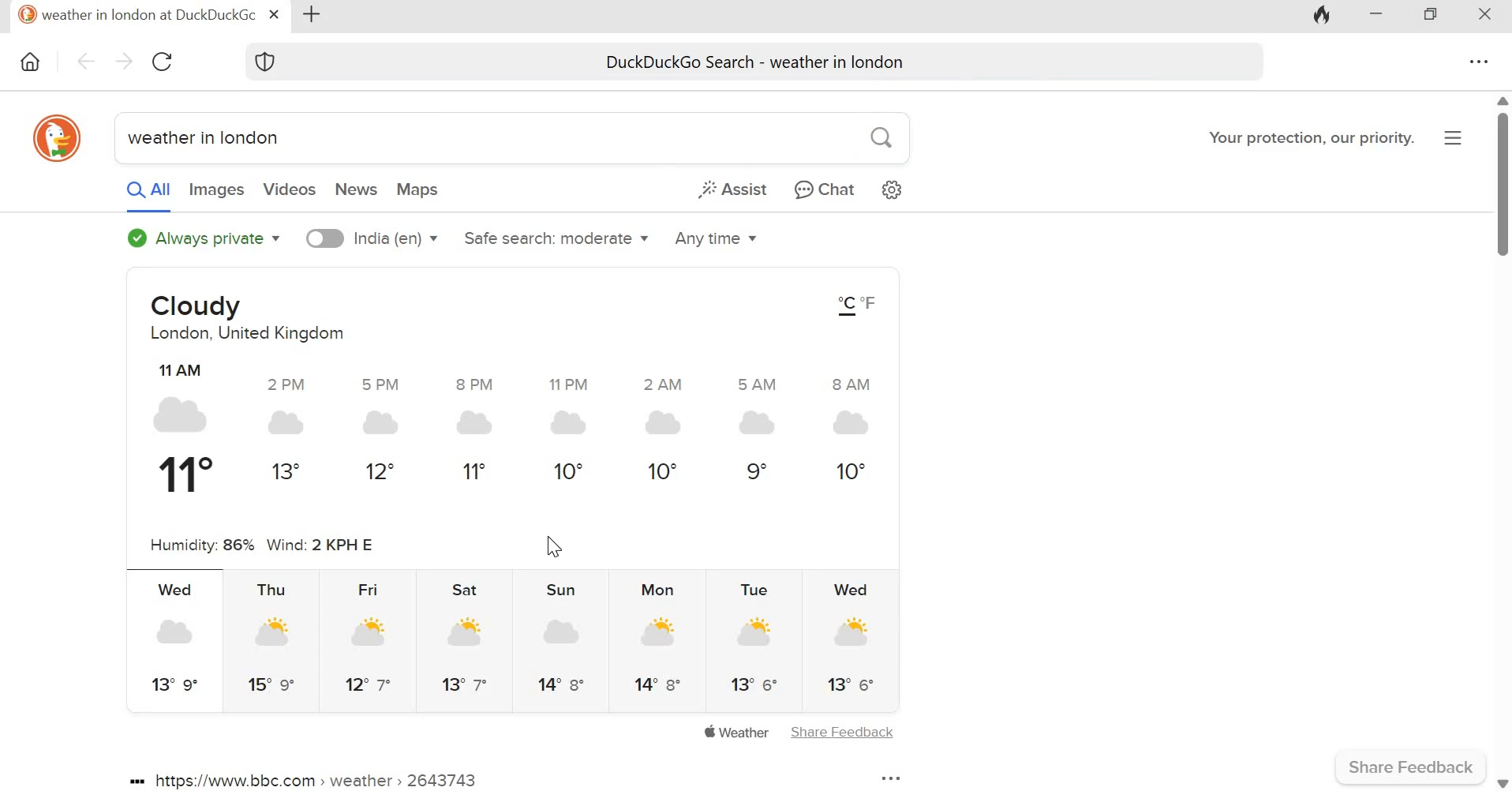 This screenshot has width=1512, height=791. I want to click on Indicates cloudy, so click(474, 423).